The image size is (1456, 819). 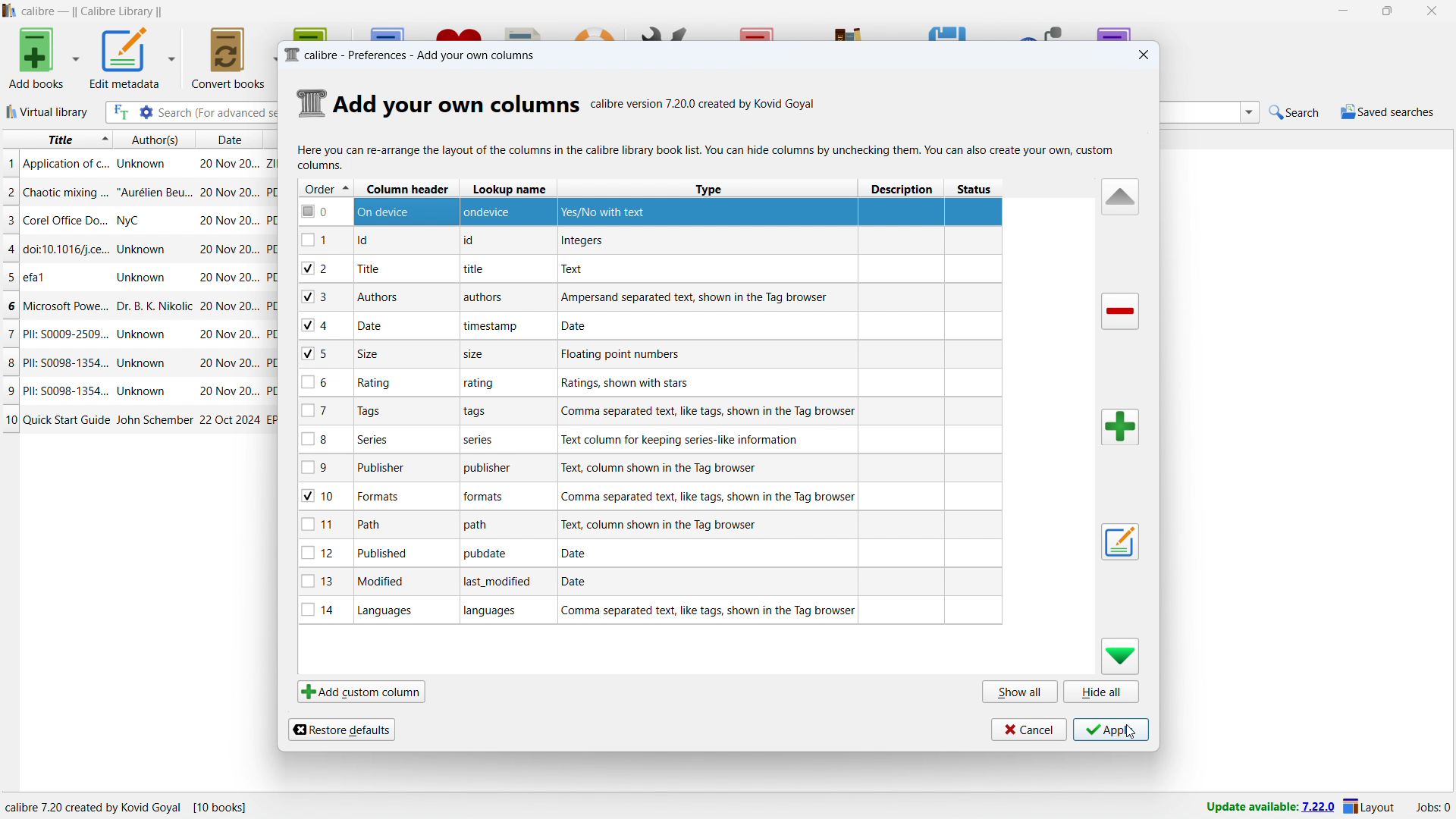 What do you see at coordinates (476, 356) in the screenshot?
I see `size` at bounding box center [476, 356].